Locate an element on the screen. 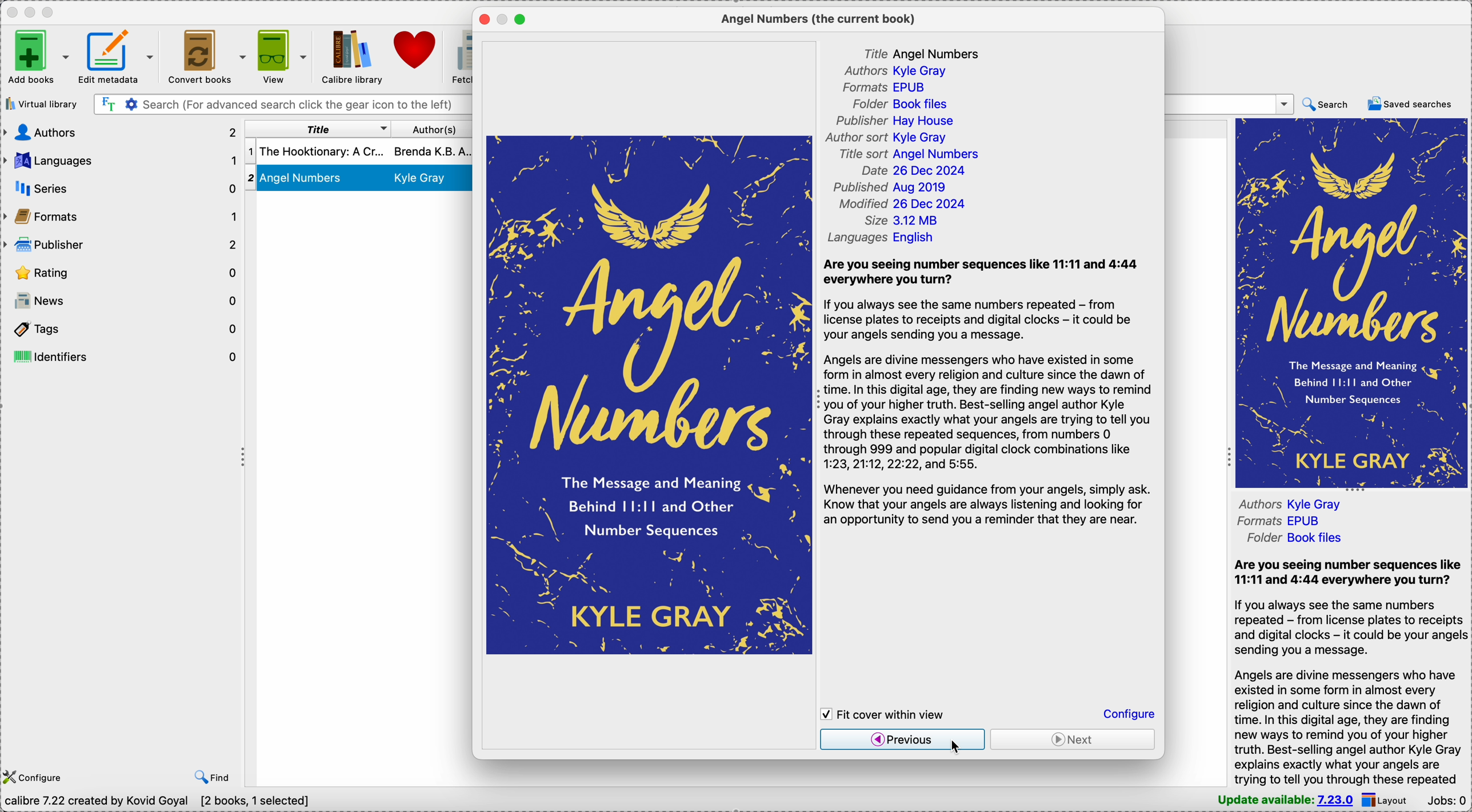 This screenshot has width=1472, height=812. search is located at coordinates (1327, 105).